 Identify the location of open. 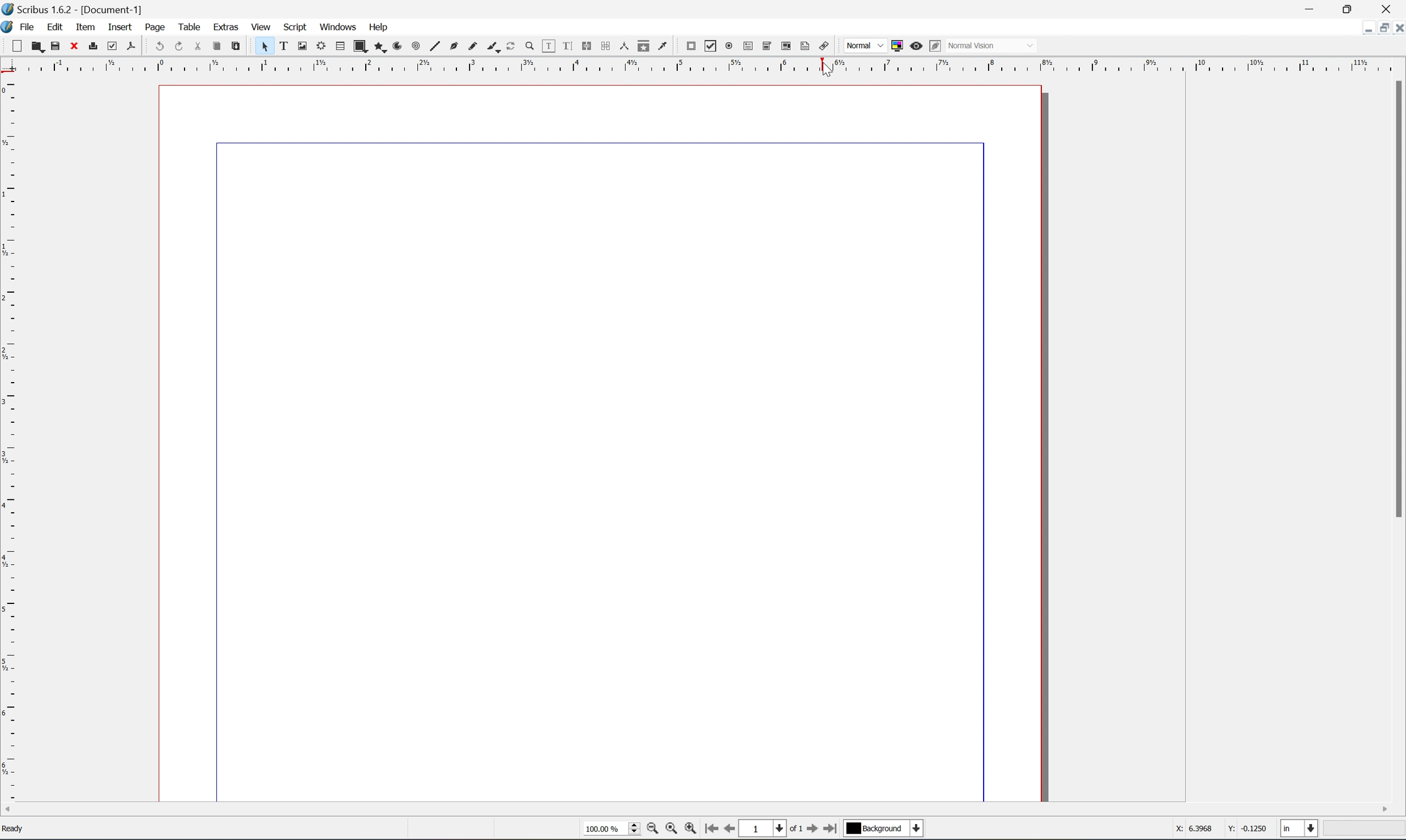
(37, 46).